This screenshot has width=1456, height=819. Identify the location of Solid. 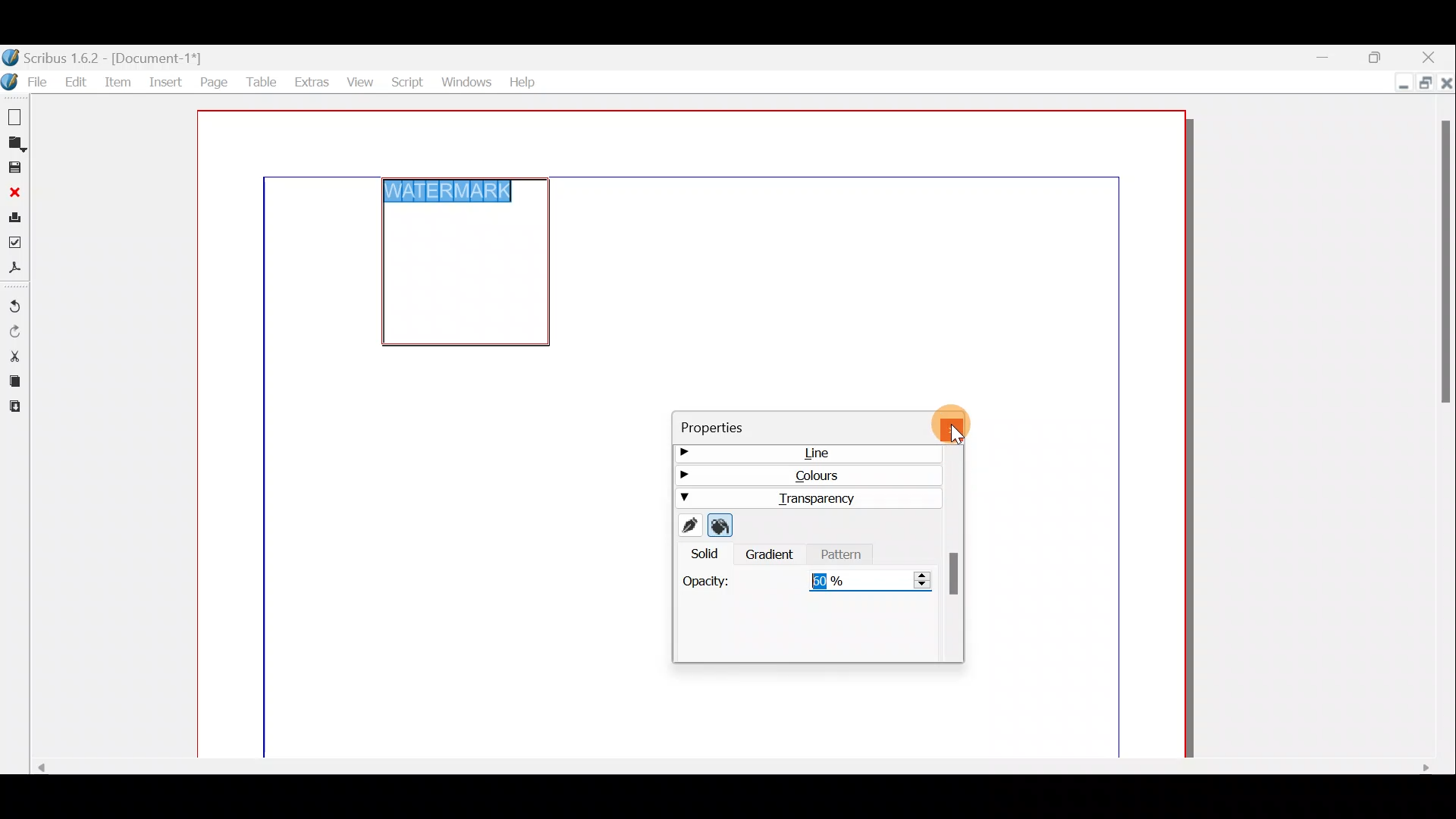
(699, 555).